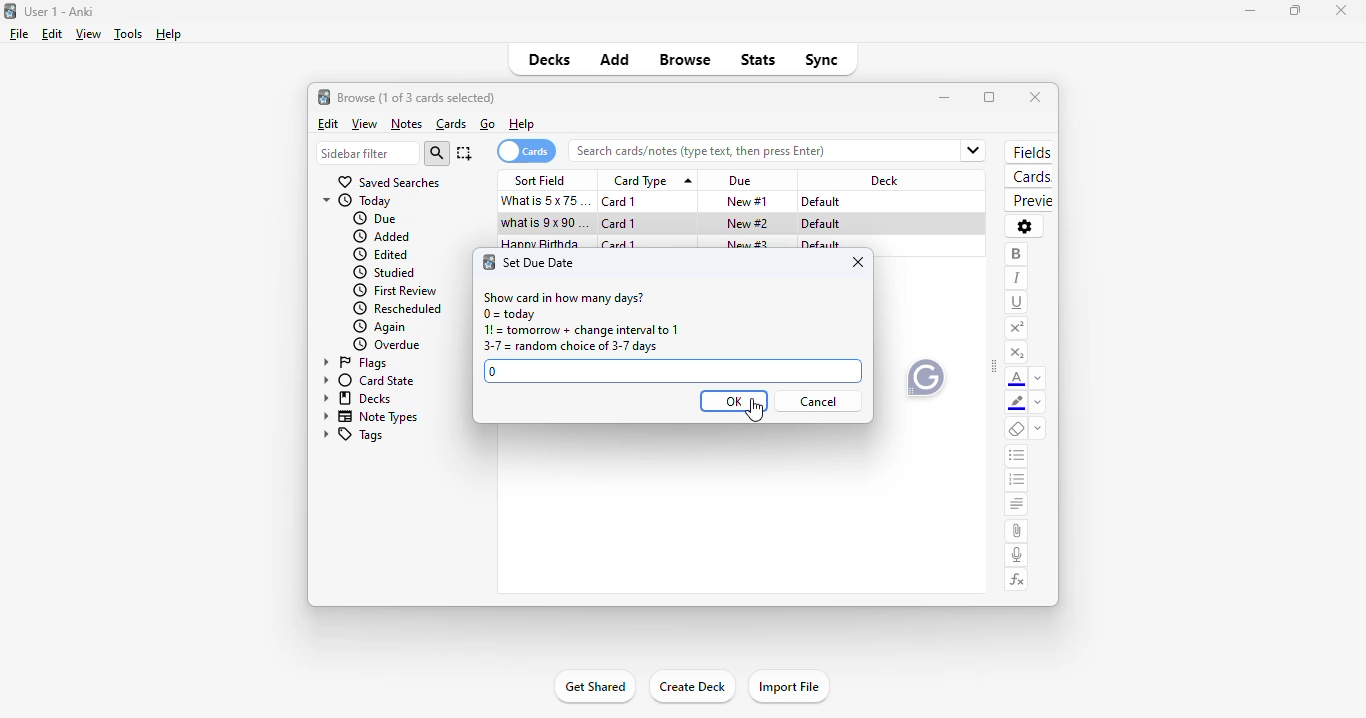 This screenshot has height=718, width=1366. I want to click on overdue, so click(388, 345).